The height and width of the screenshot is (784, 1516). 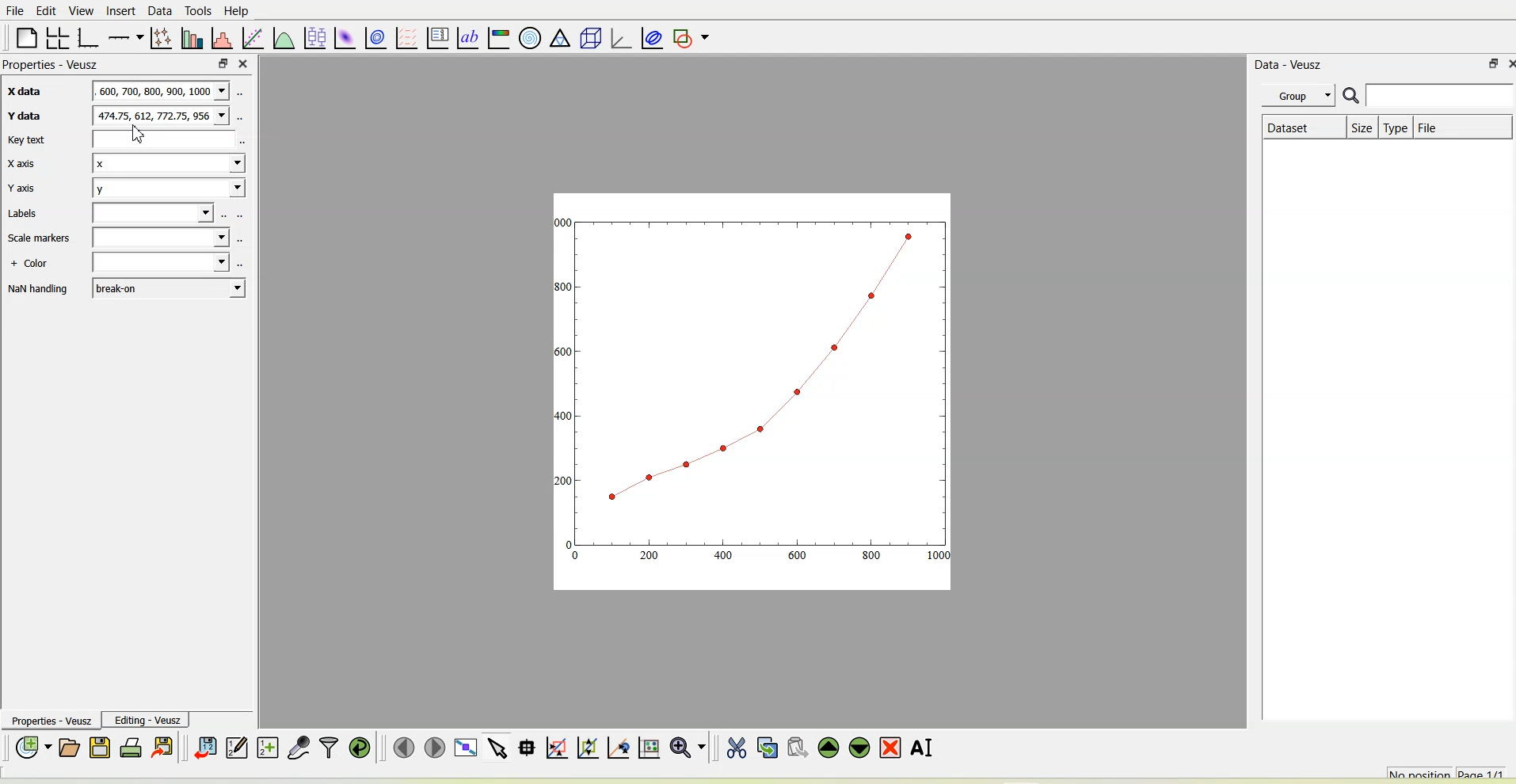 I want to click on Search bar, so click(x=1427, y=95).